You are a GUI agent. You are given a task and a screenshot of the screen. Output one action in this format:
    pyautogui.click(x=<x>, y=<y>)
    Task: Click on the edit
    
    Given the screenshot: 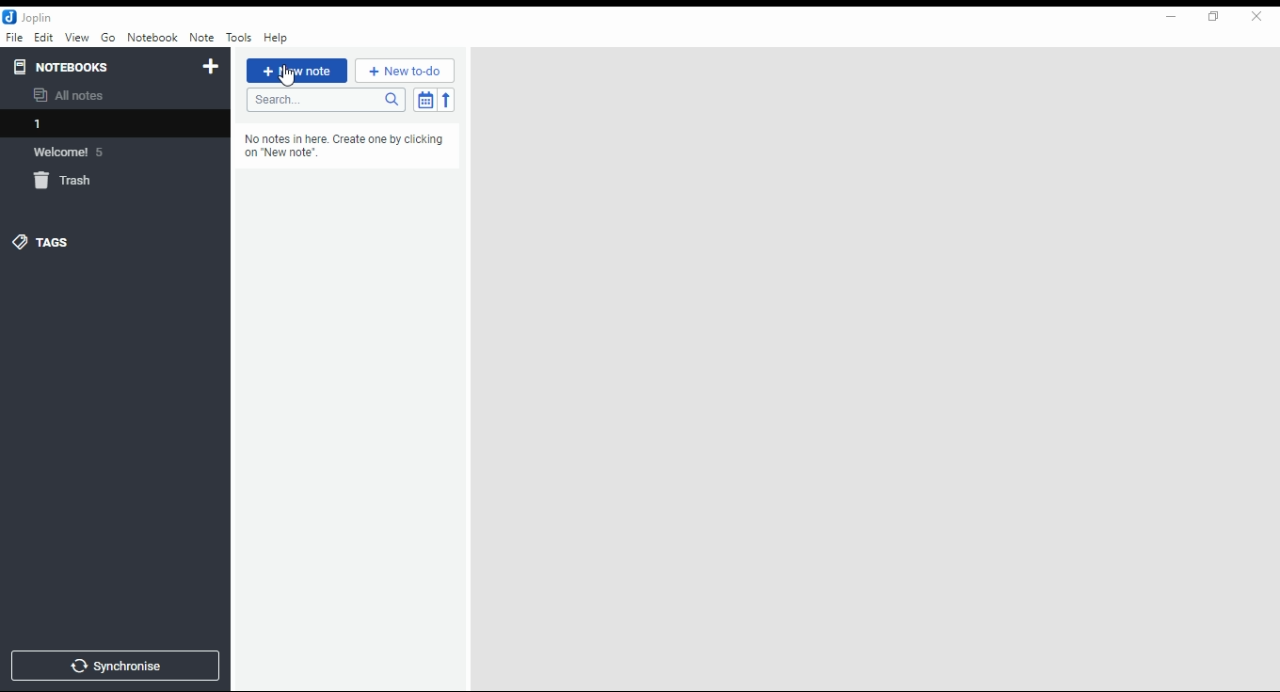 What is the action you would take?
    pyautogui.click(x=44, y=36)
    